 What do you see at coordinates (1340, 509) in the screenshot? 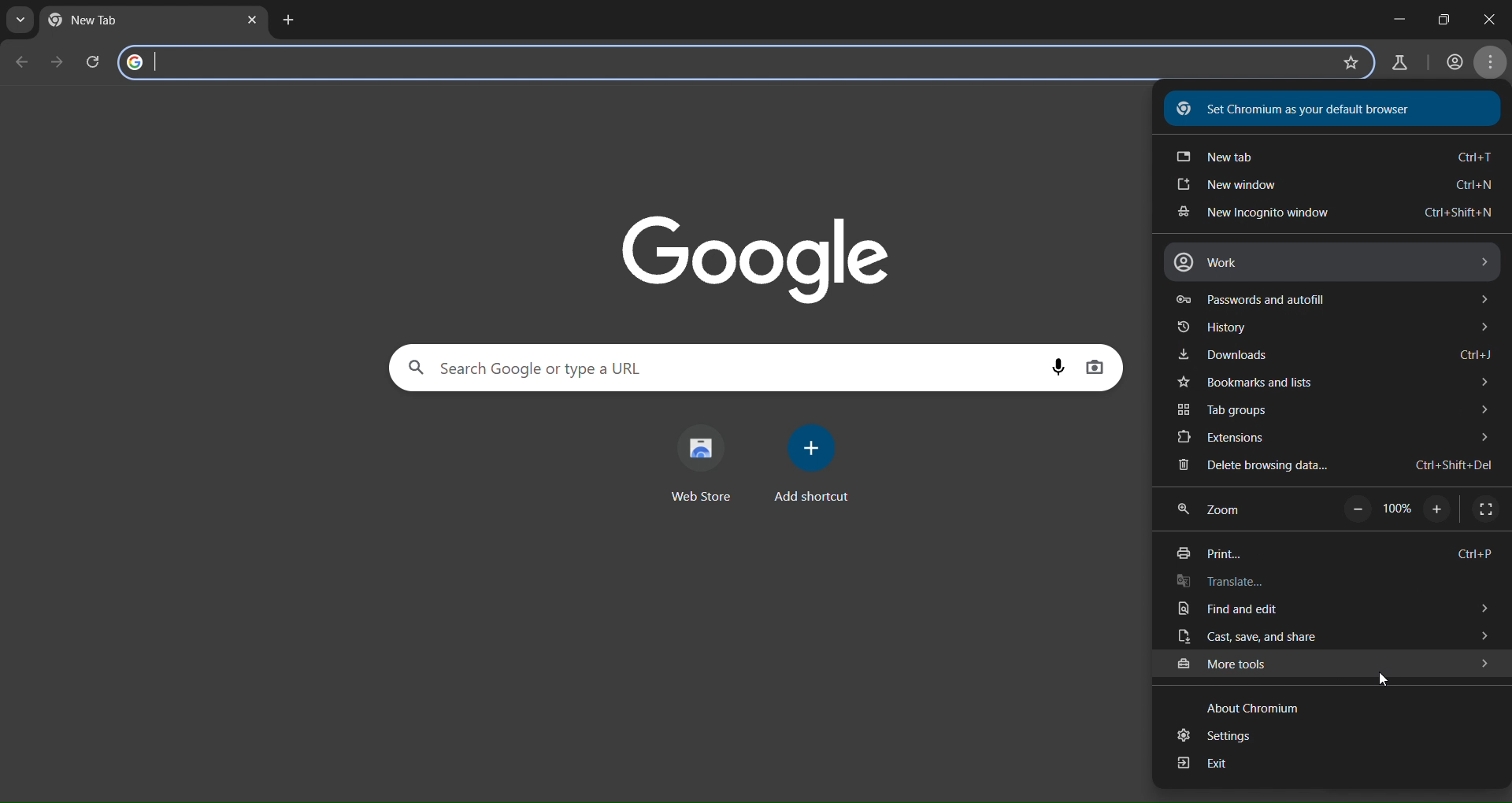
I see `zoom ` at bounding box center [1340, 509].